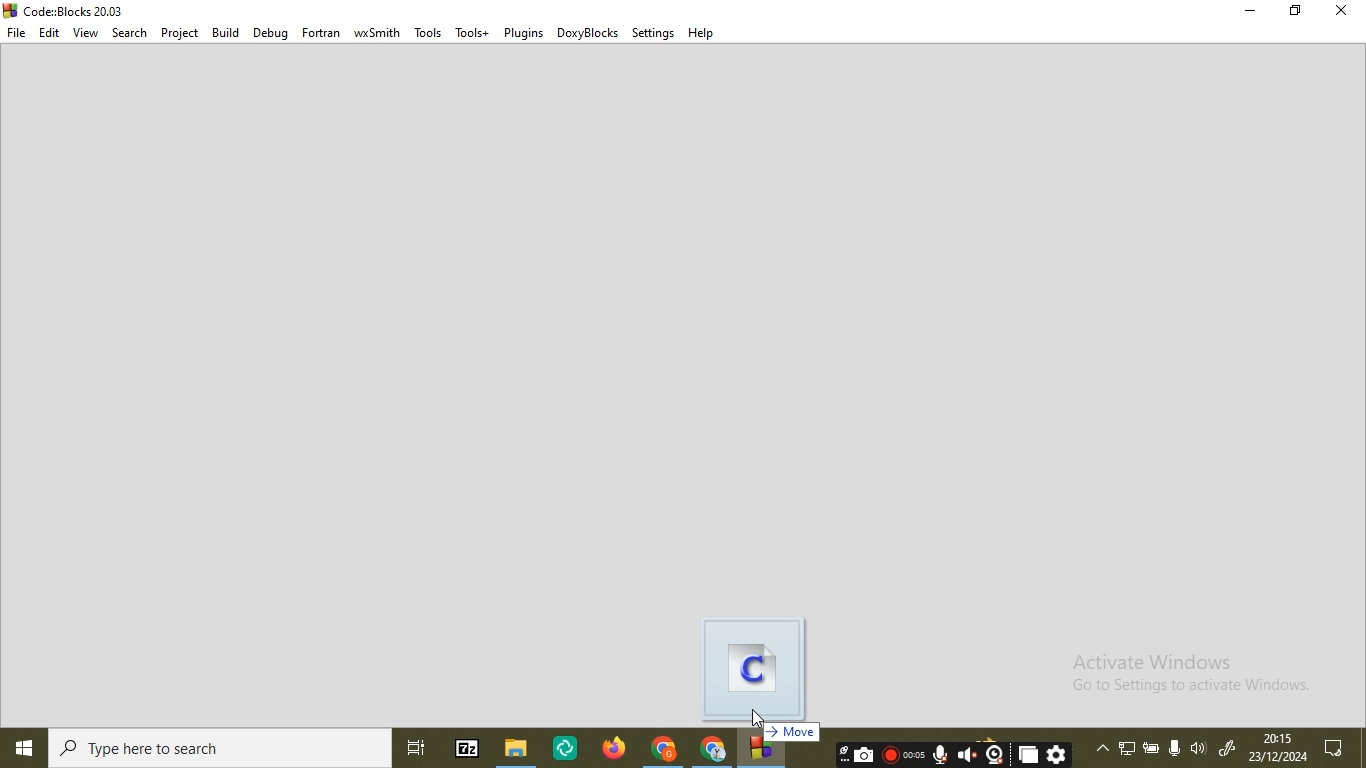 The image size is (1366, 768). Describe the element at coordinates (702, 35) in the screenshot. I see `Help` at that location.